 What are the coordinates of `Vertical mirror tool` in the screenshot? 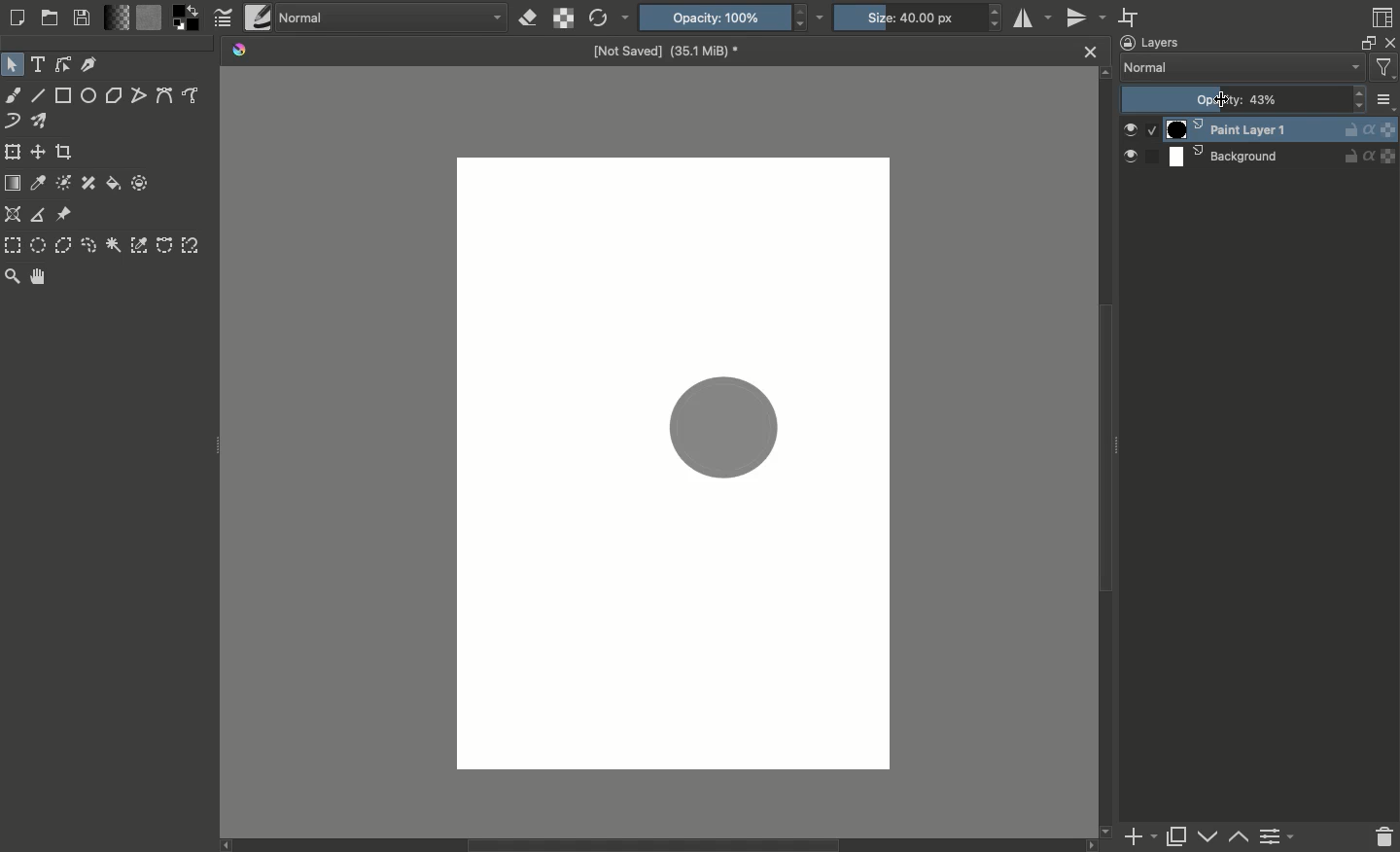 It's located at (1087, 18).